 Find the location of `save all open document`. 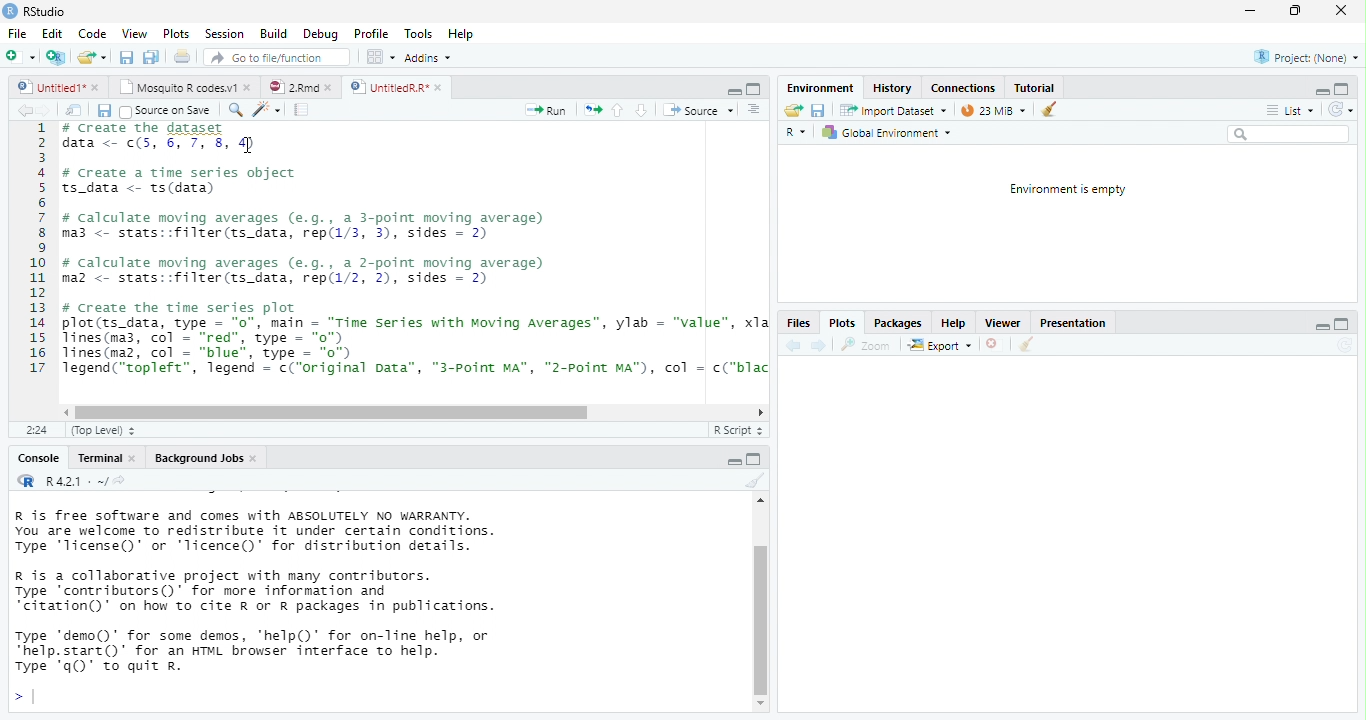

save all open document is located at coordinates (126, 57).